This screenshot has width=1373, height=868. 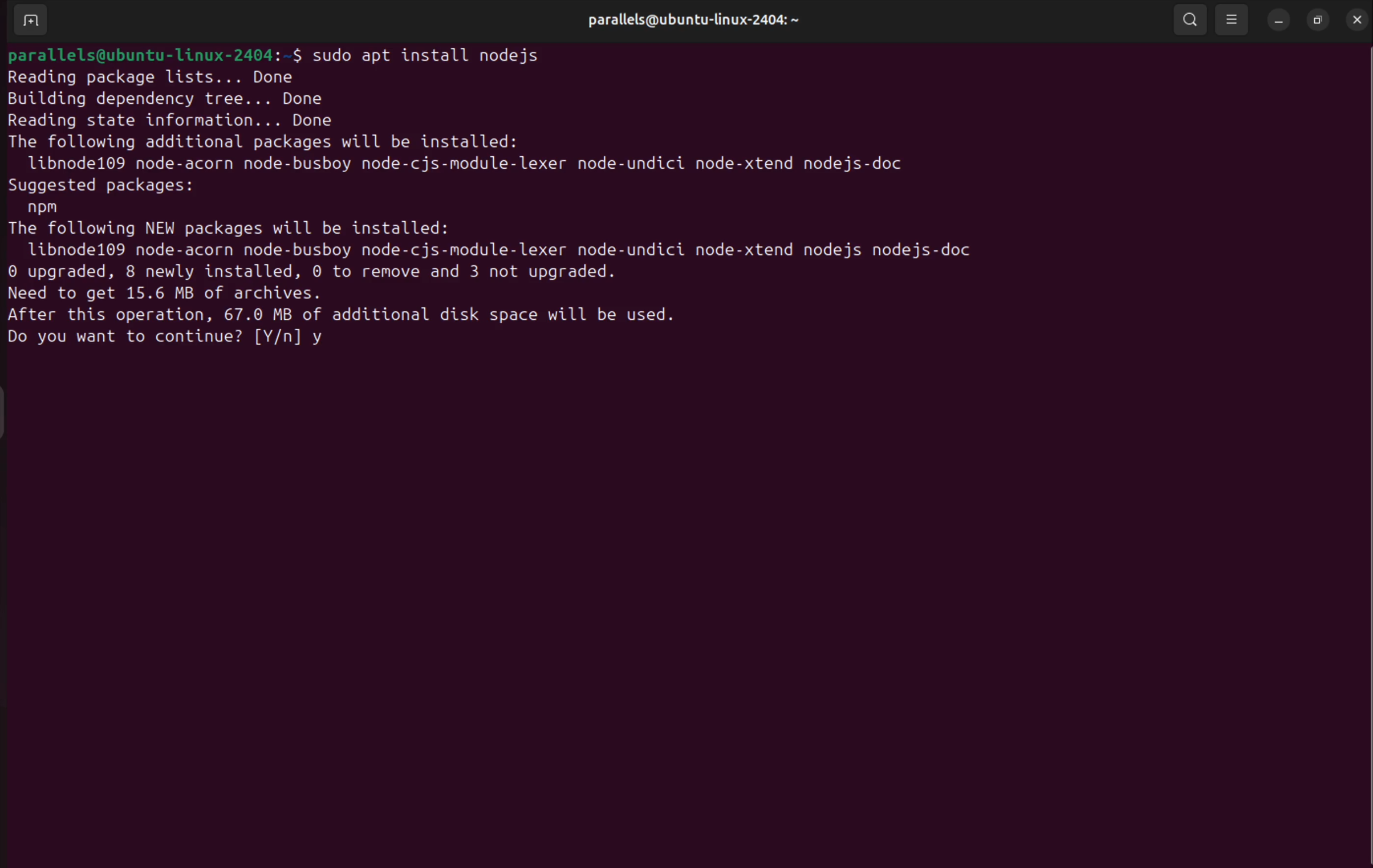 What do you see at coordinates (277, 339) in the screenshot?
I see `Y/n` at bounding box center [277, 339].